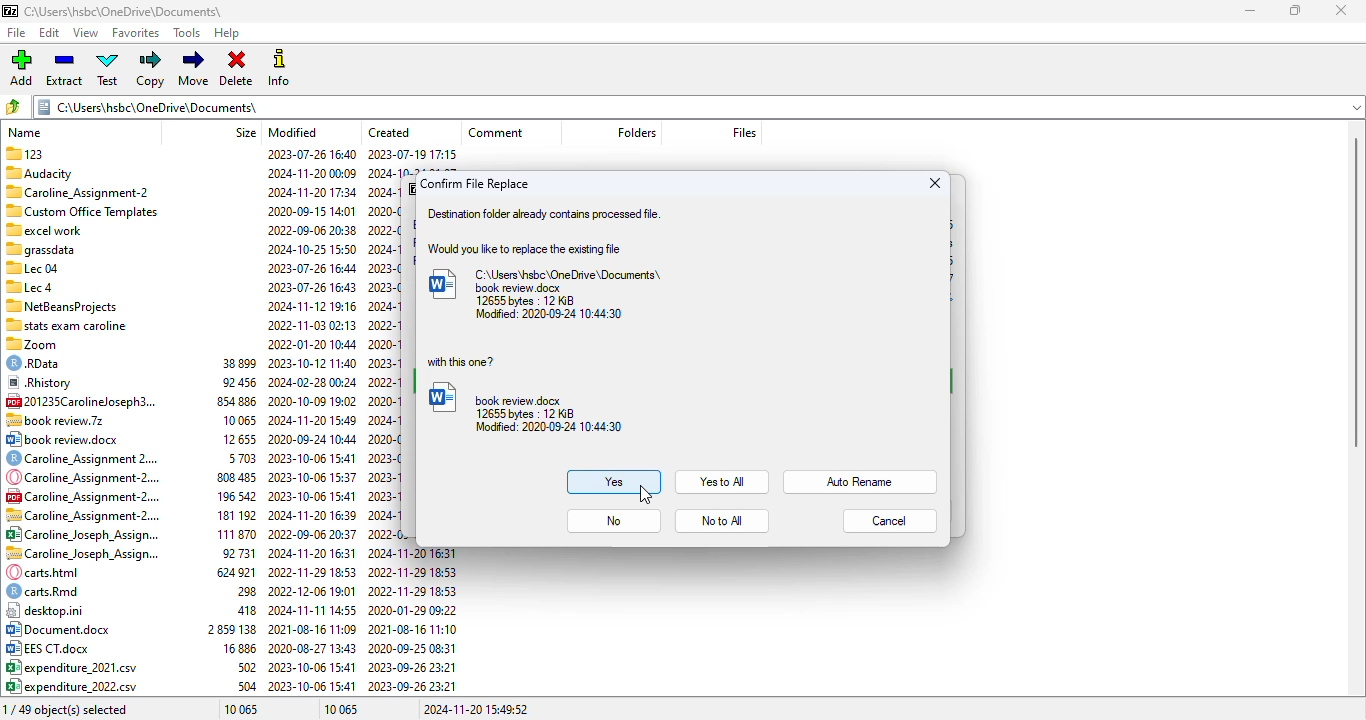  Describe the element at coordinates (382, 421) in the screenshot. I see `created date & time` at that location.